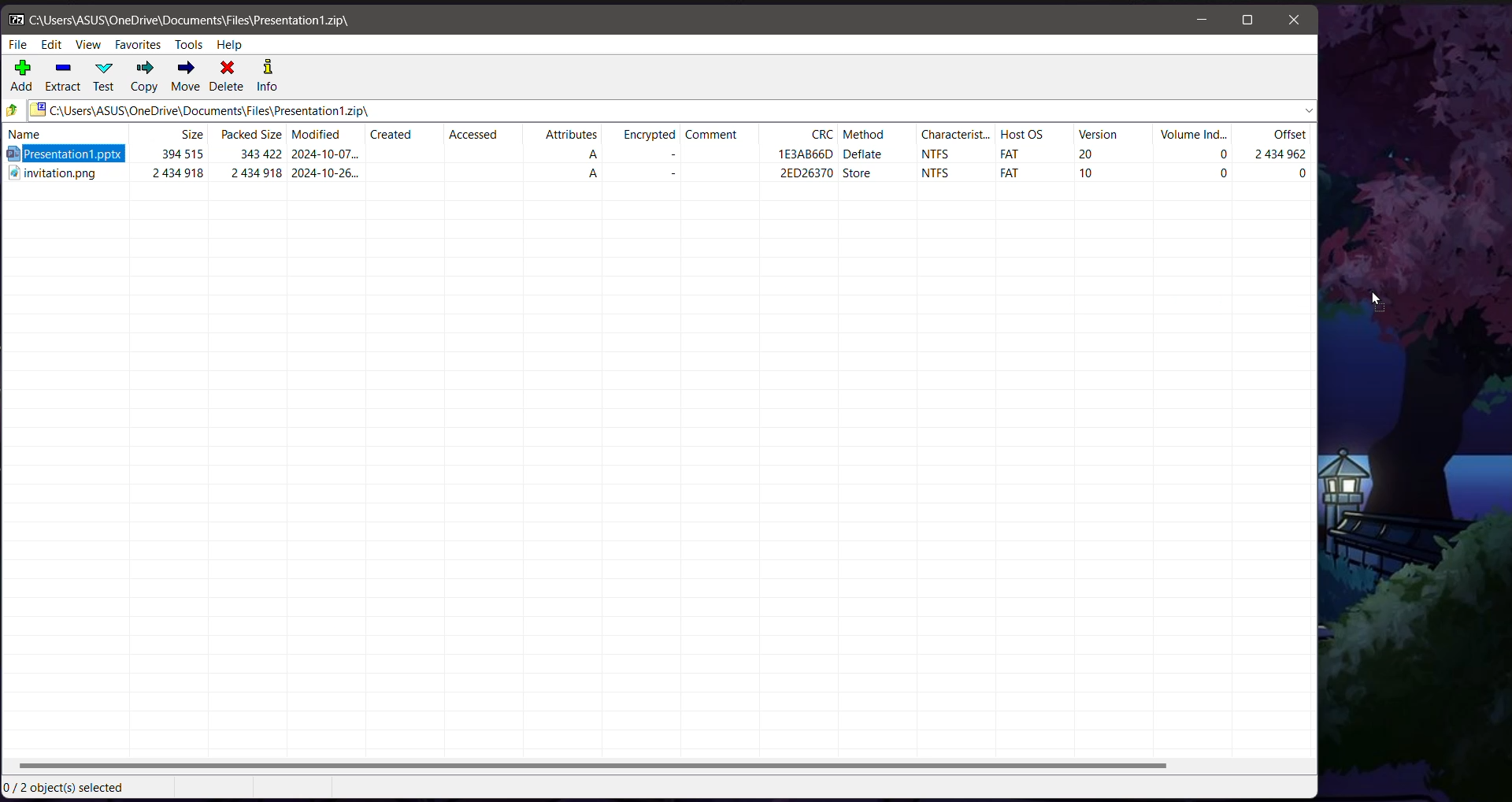  What do you see at coordinates (390, 135) in the screenshot?
I see `Created` at bounding box center [390, 135].